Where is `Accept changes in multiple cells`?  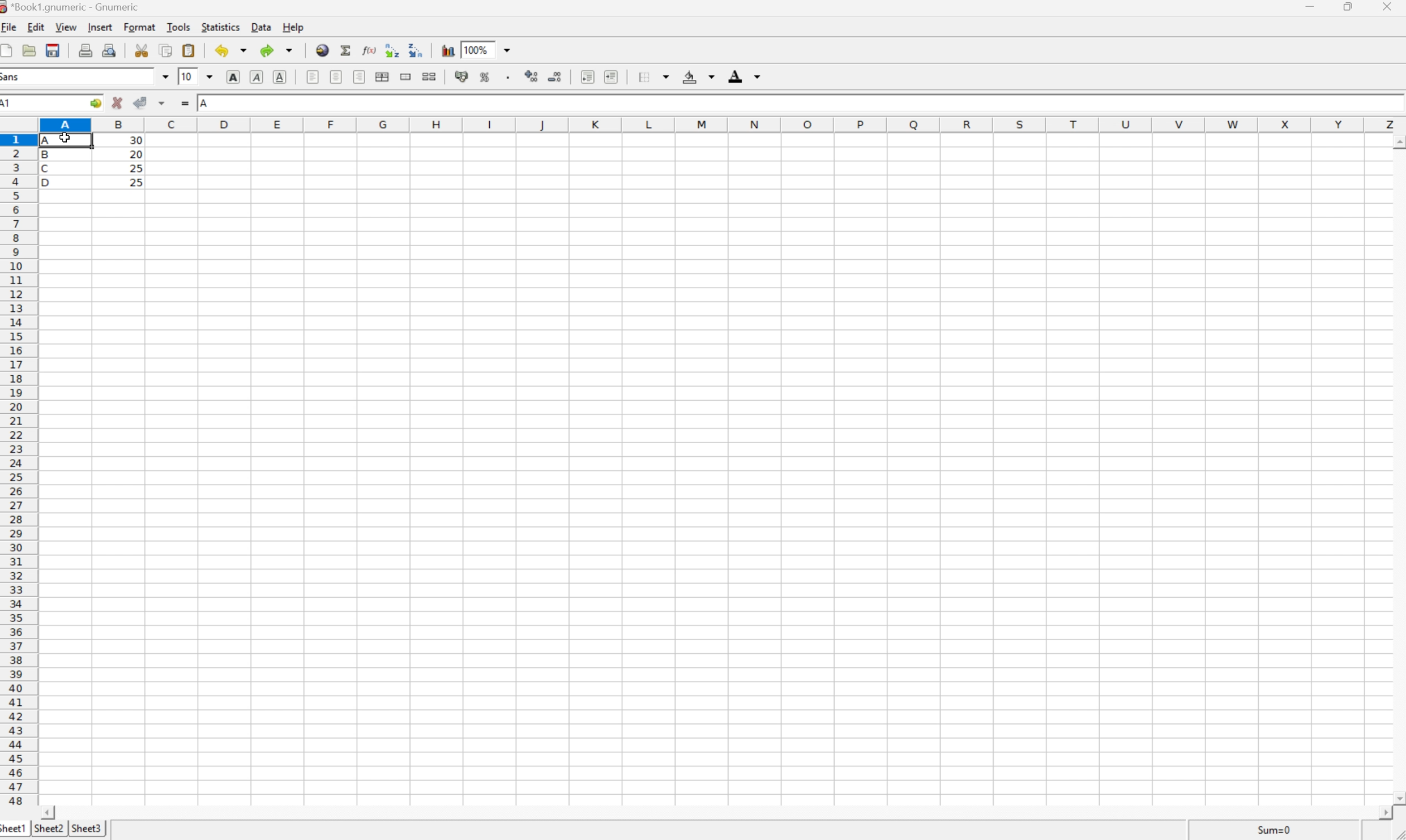 Accept changes in multiple cells is located at coordinates (163, 101).